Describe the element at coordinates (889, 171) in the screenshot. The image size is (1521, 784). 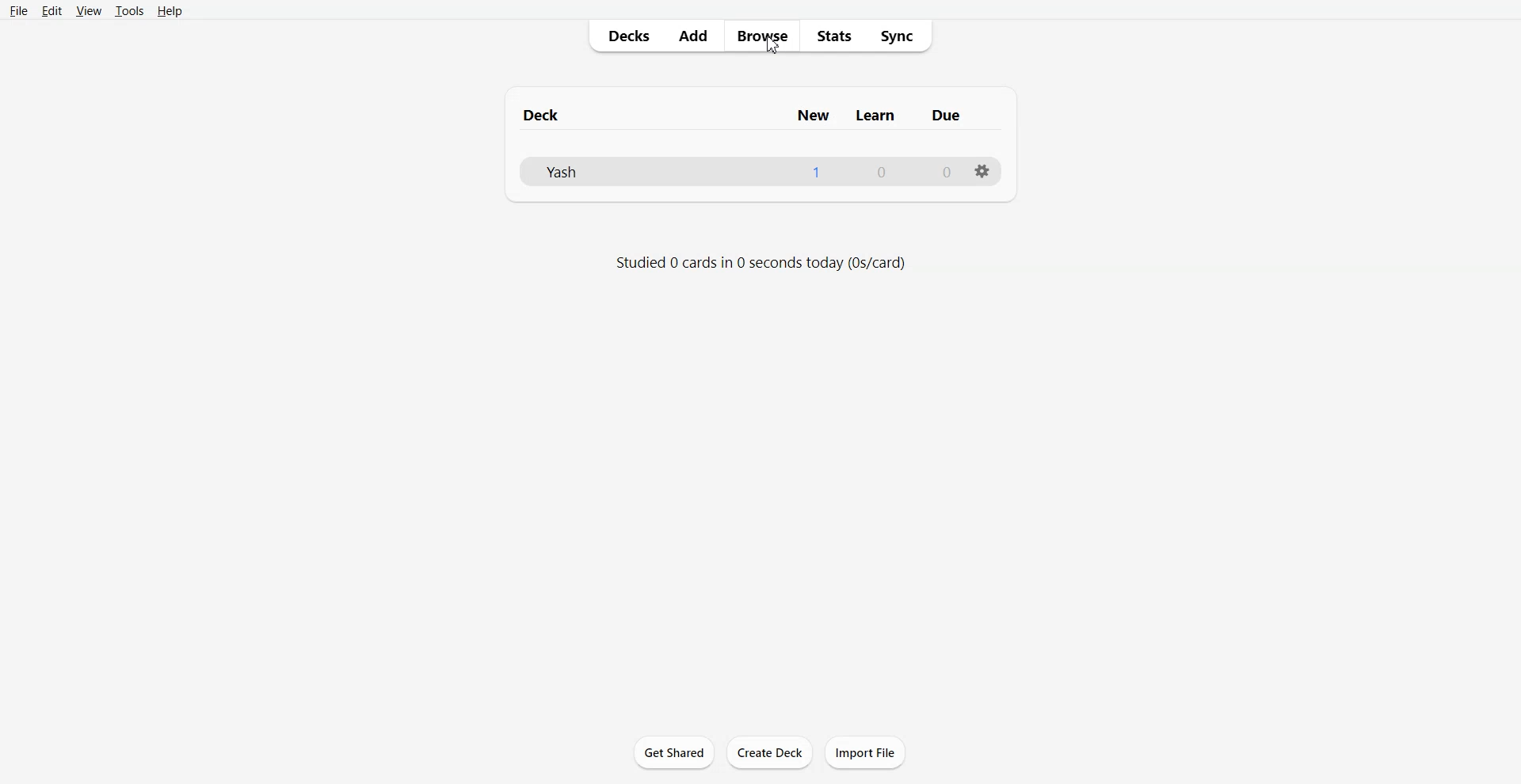
I see `0` at that location.